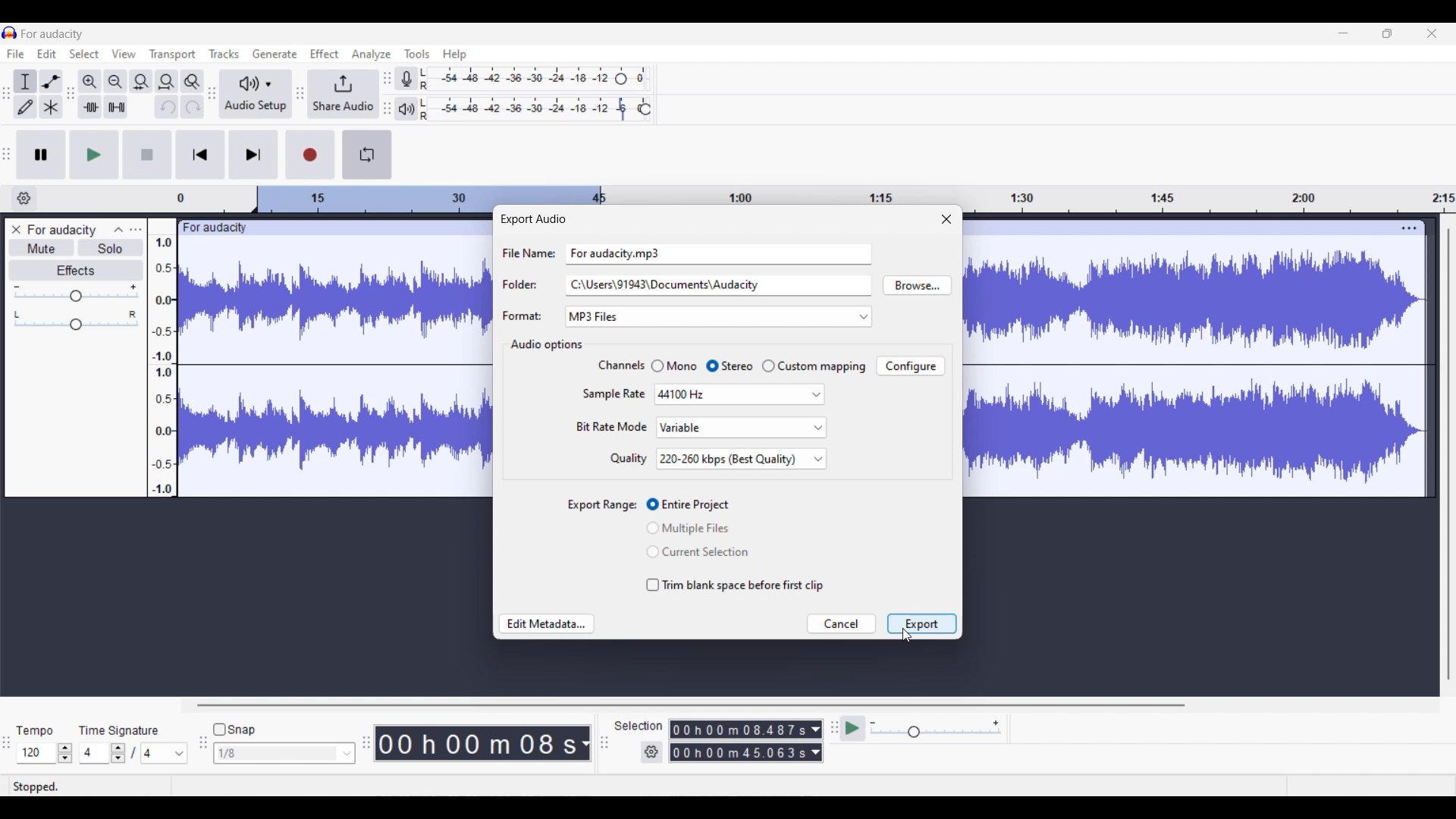 This screenshot has width=1456, height=819. What do you see at coordinates (343, 94) in the screenshot?
I see `Share audio` at bounding box center [343, 94].